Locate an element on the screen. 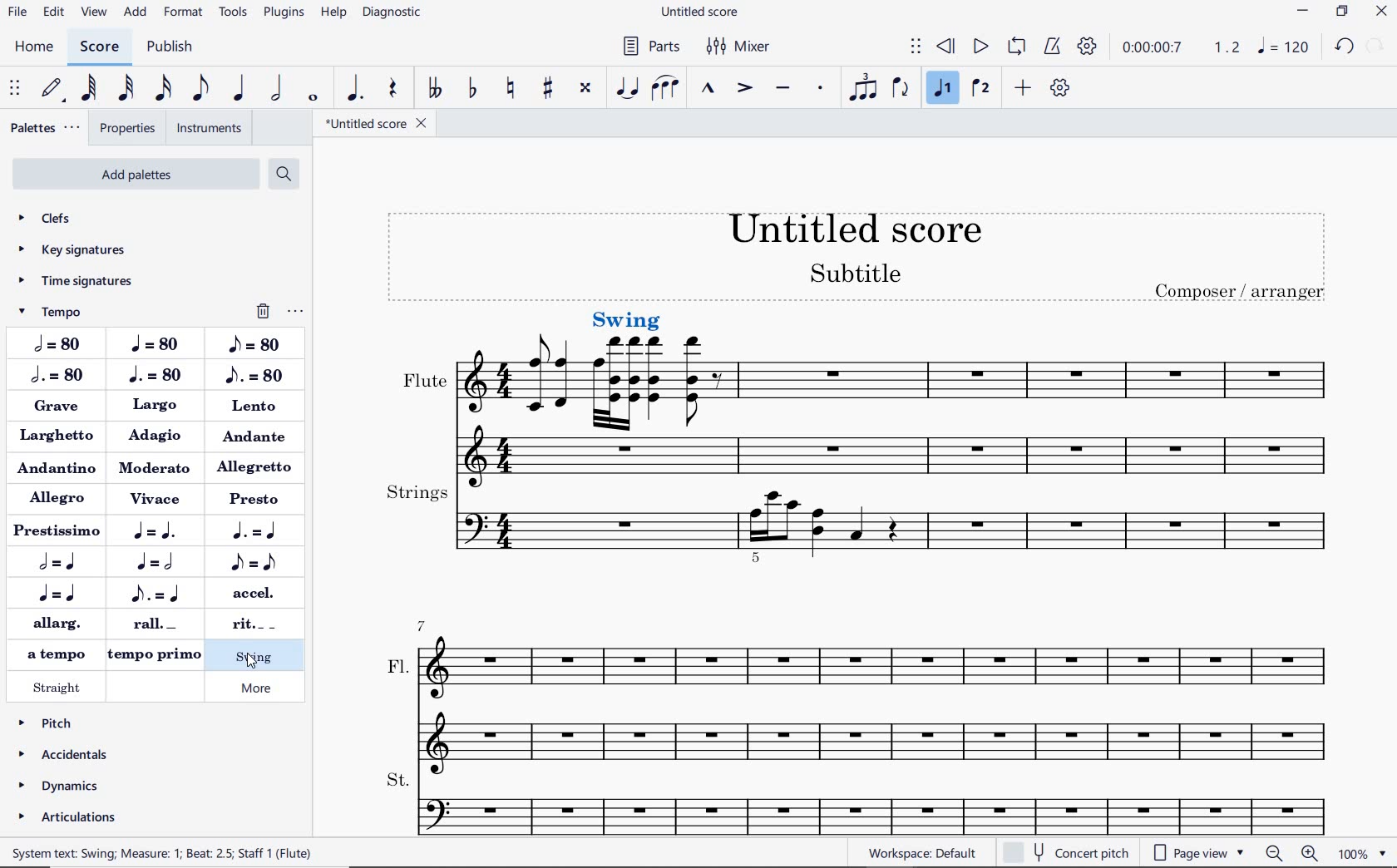 This screenshot has height=868, width=1397. zoom factor is located at coordinates (1363, 852).